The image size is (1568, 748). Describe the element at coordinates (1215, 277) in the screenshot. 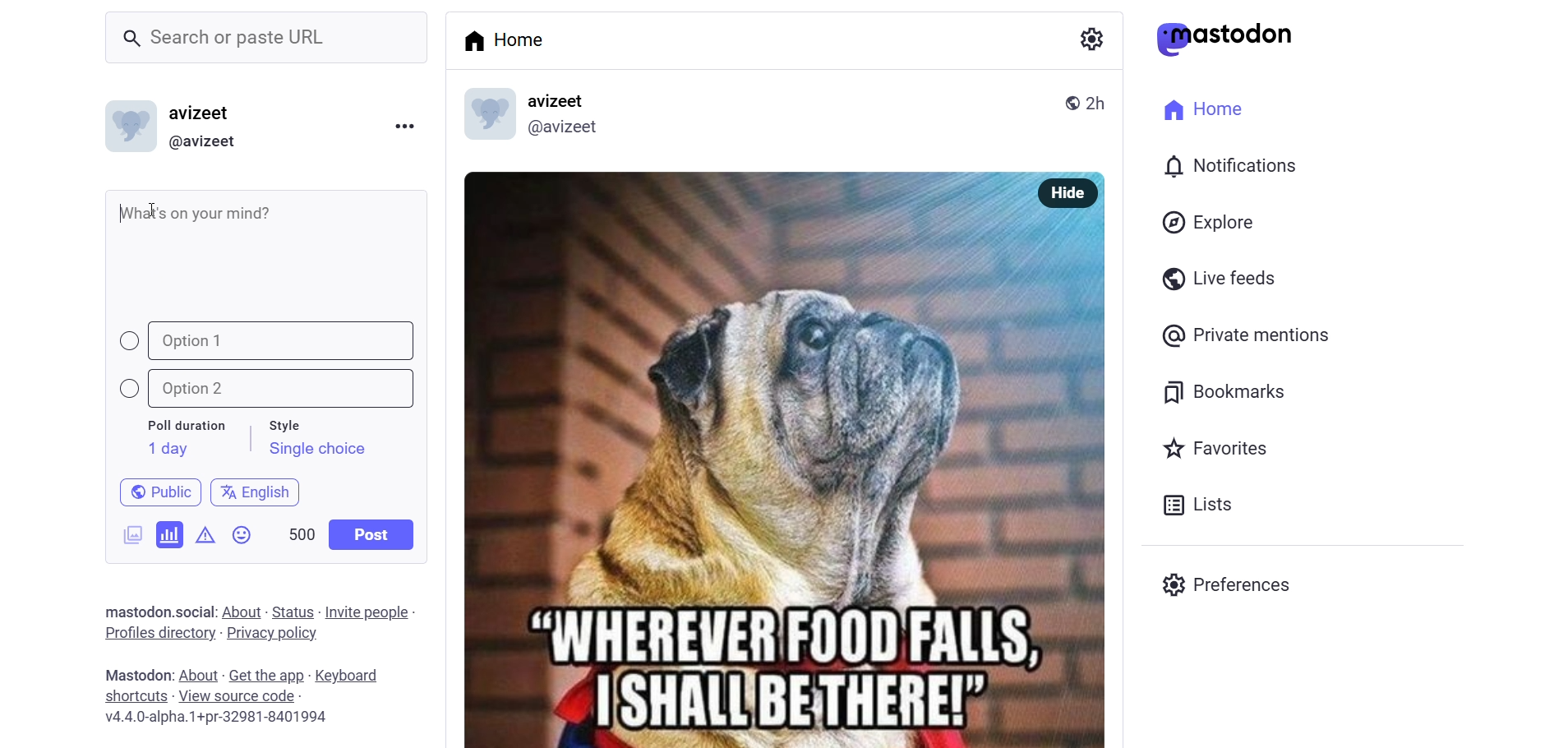

I see `live feed` at that location.